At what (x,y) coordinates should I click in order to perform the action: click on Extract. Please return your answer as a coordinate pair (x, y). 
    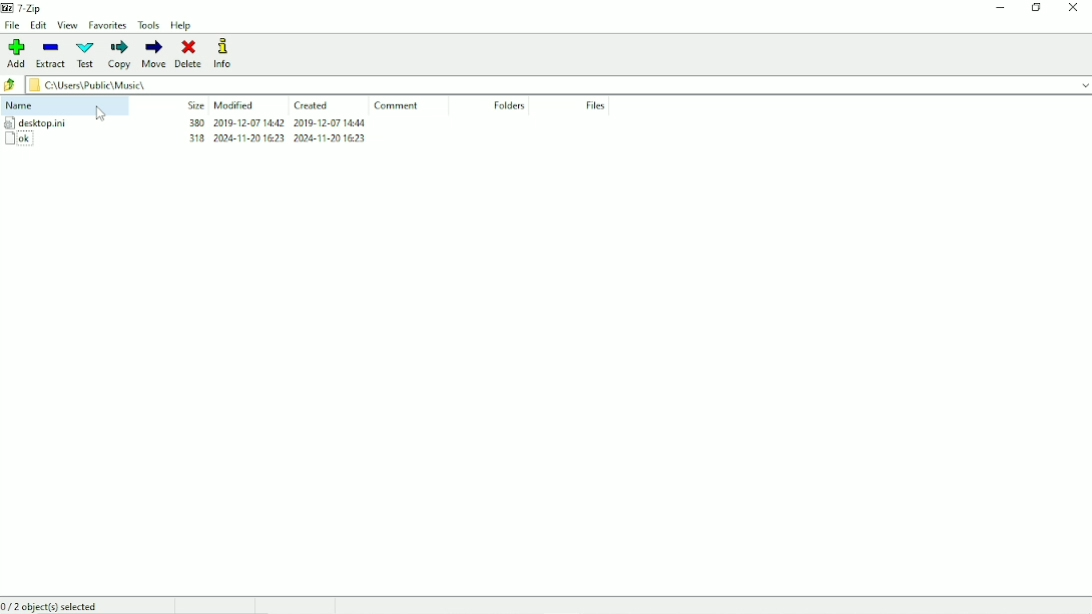
    Looking at the image, I should click on (49, 53).